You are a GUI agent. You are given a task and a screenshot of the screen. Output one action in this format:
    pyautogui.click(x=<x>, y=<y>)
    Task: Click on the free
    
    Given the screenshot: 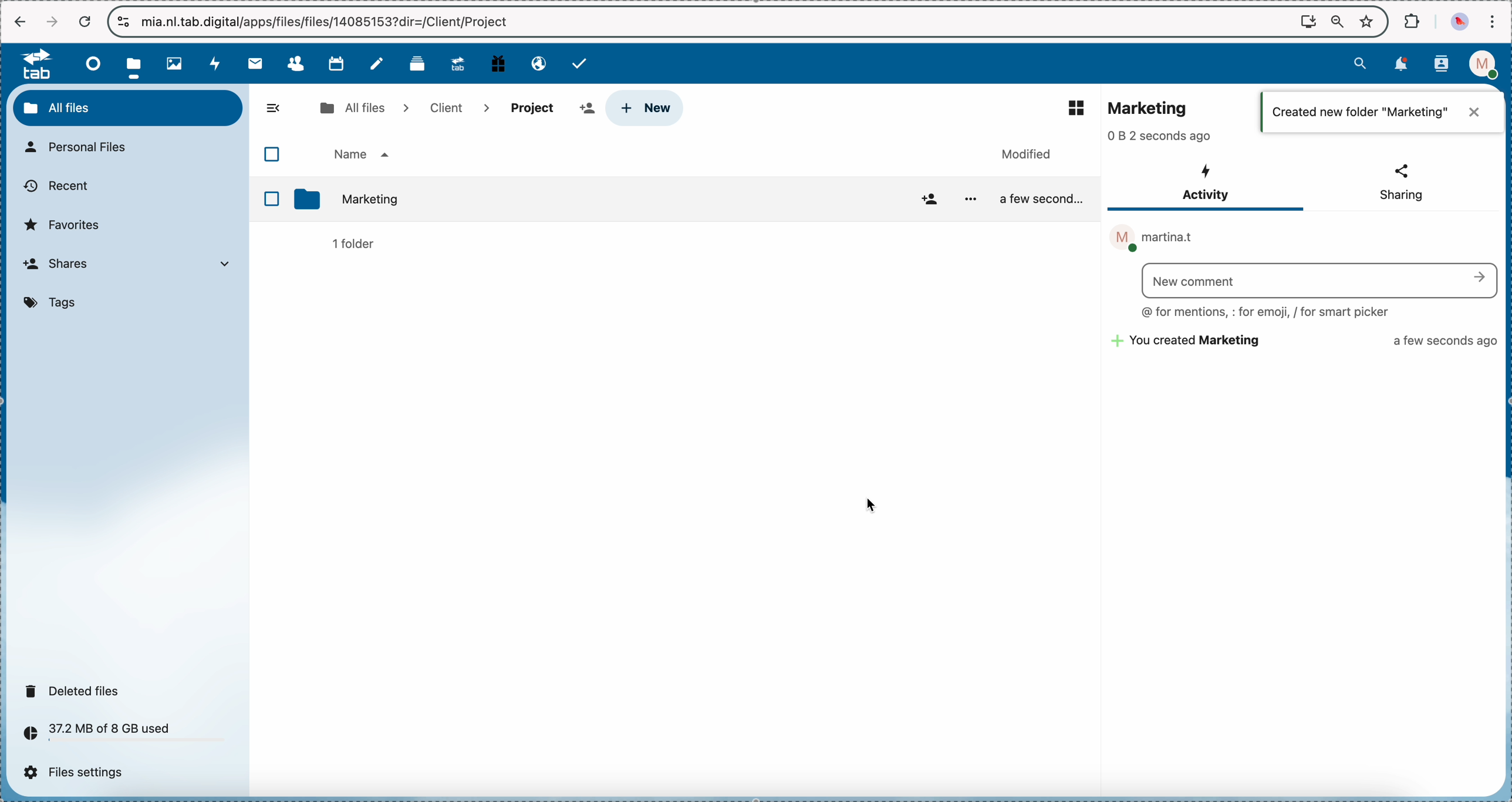 What is the action you would take?
    pyautogui.click(x=498, y=62)
    